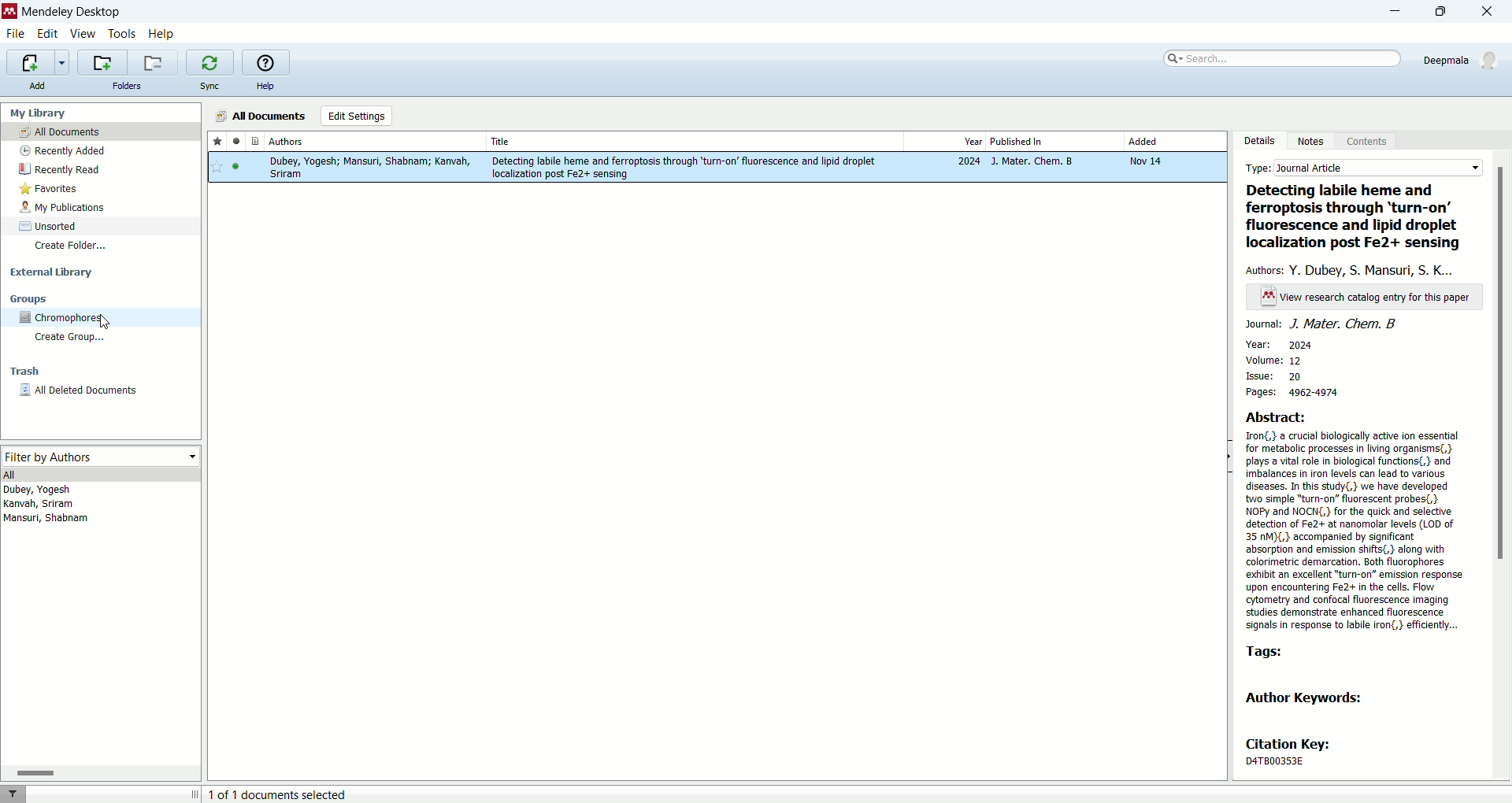  What do you see at coordinates (60, 171) in the screenshot?
I see `recently read` at bounding box center [60, 171].